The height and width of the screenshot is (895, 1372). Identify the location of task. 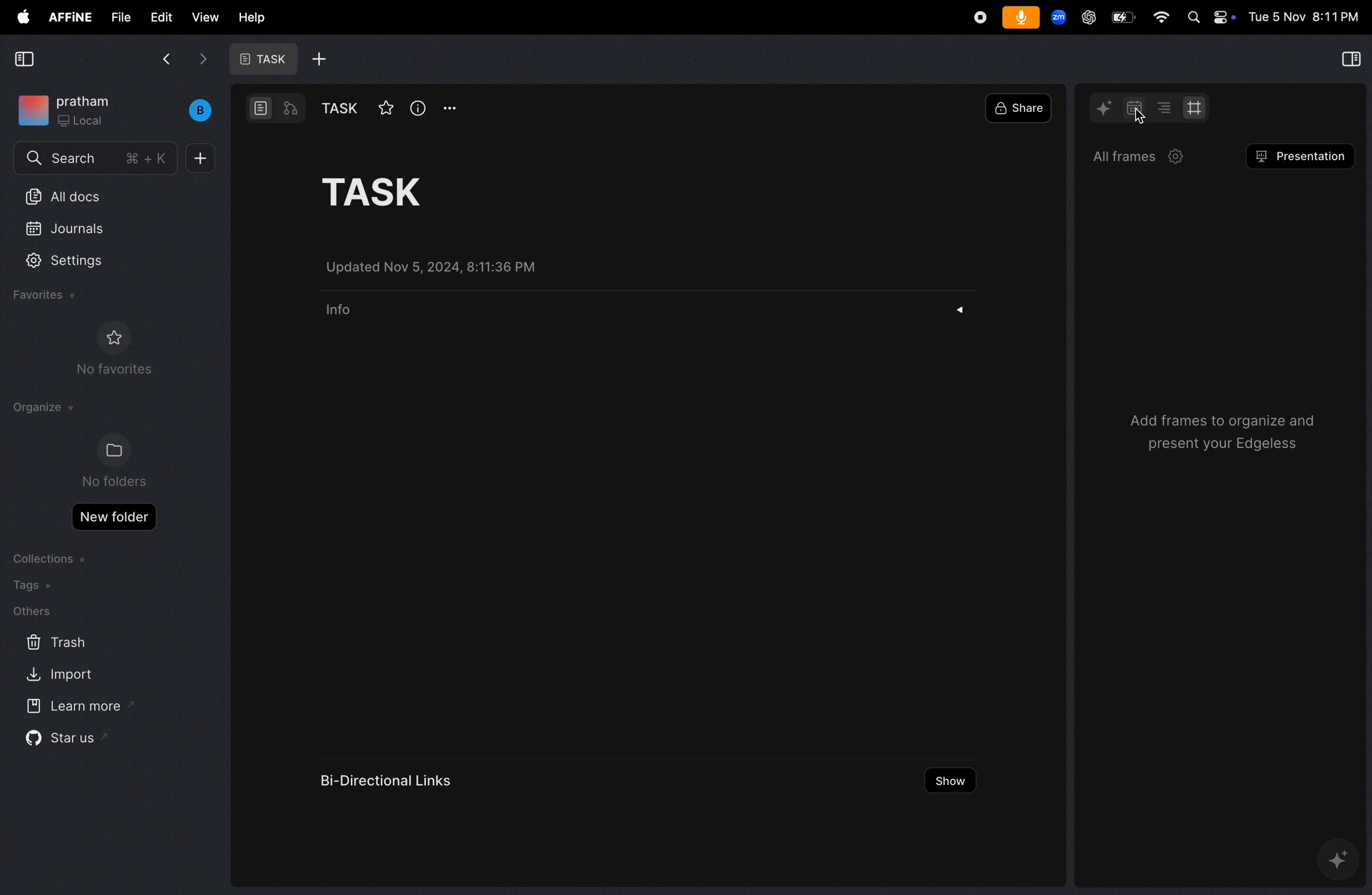
(260, 59).